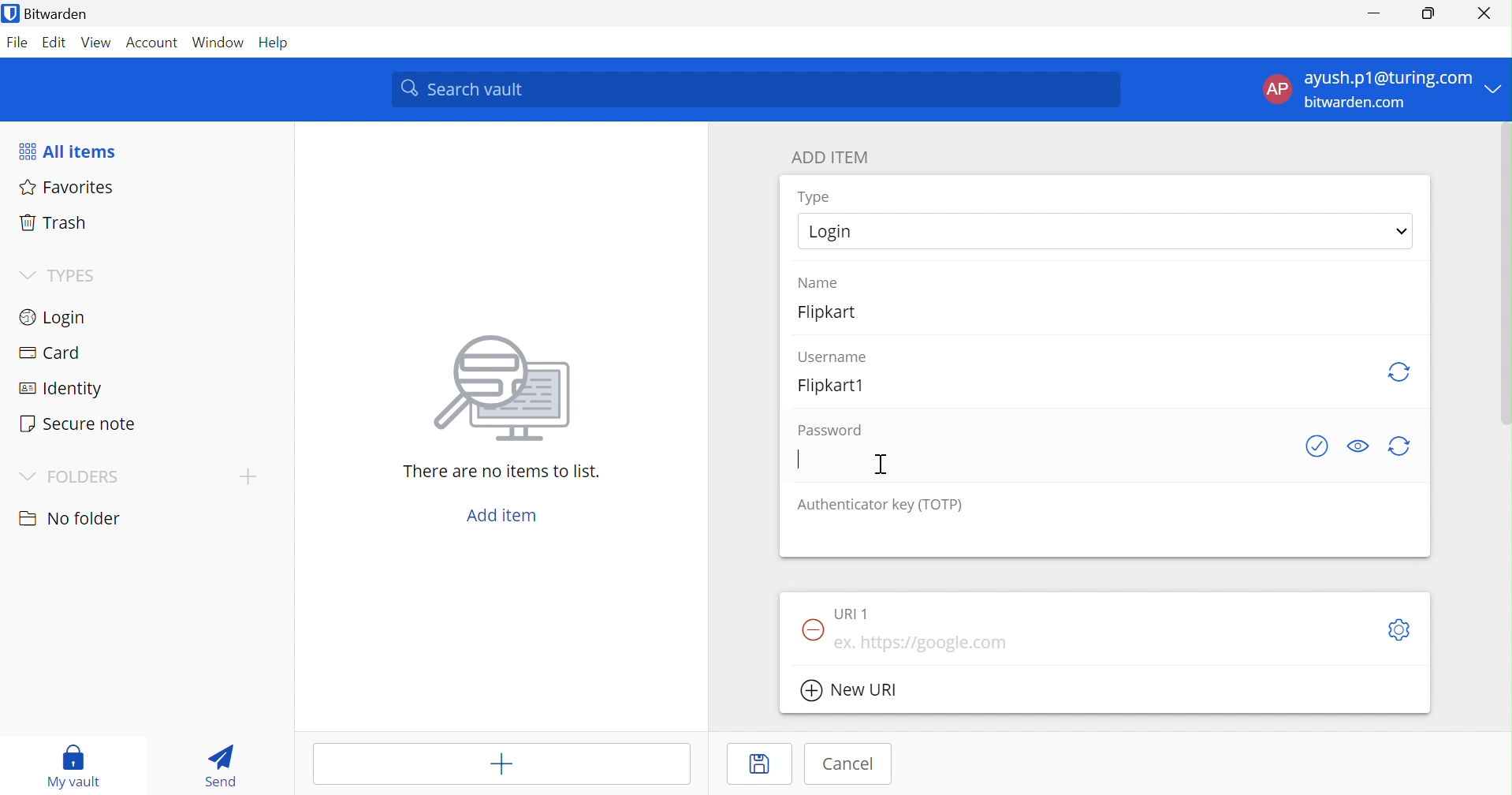 The image size is (1512, 795). What do you see at coordinates (503, 516) in the screenshot?
I see `Add item` at bounding box center [503, 516].